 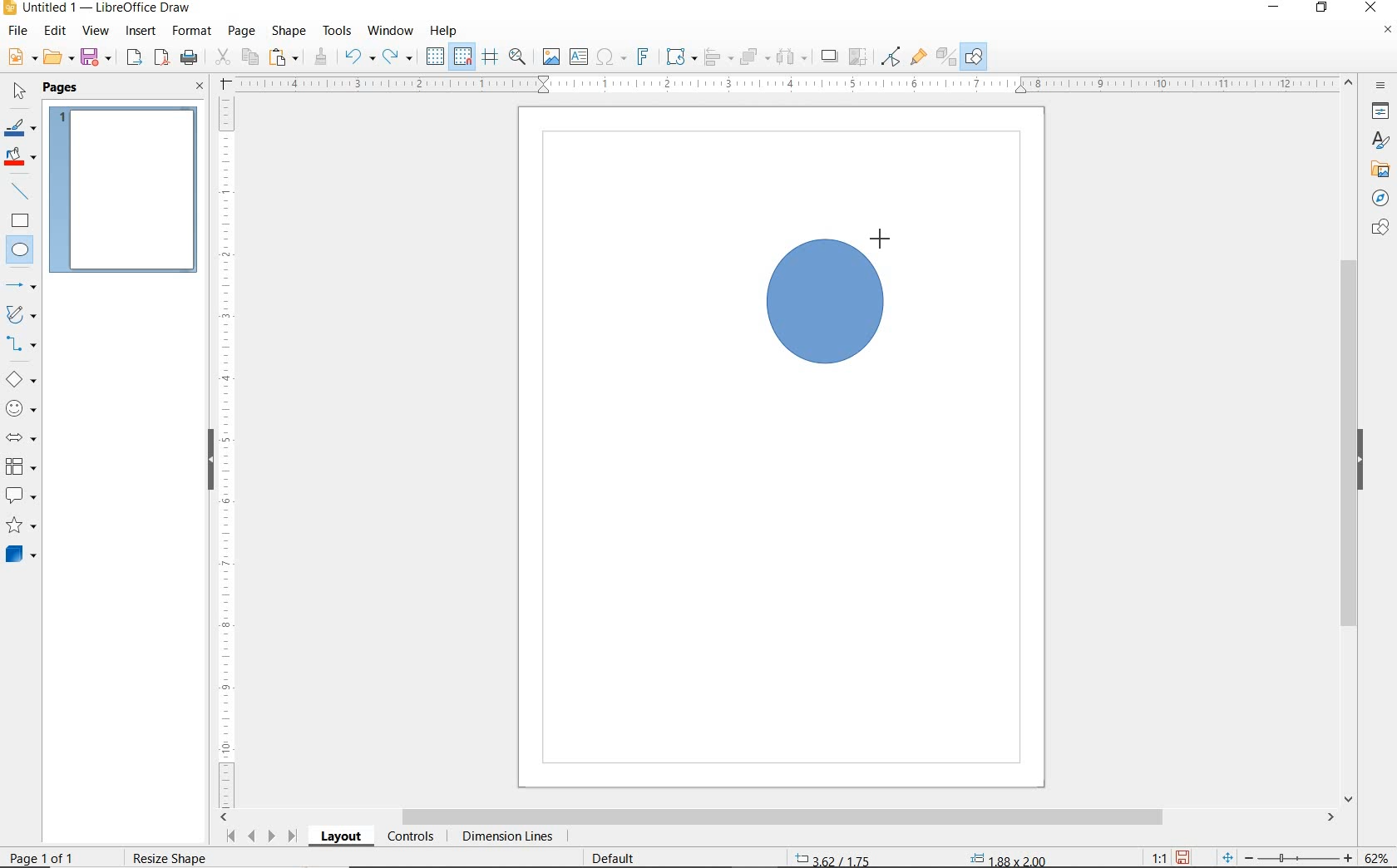 I want to click on EXPORT, so click(x=135, y=58).